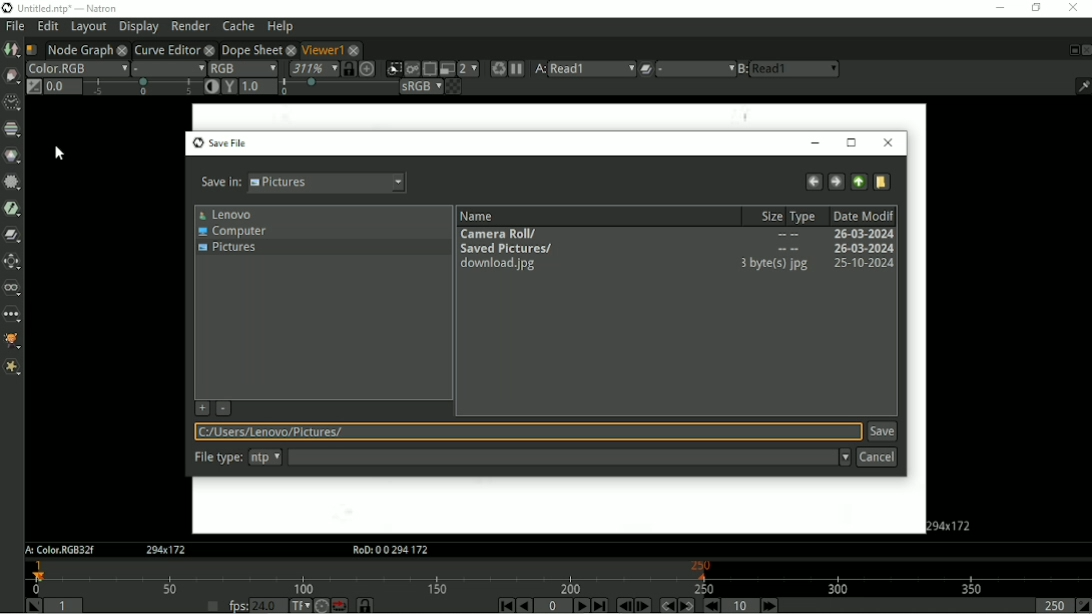 This screenshot has height=614, width=1092. I want to click on Checkerboard, so click(454, 88).